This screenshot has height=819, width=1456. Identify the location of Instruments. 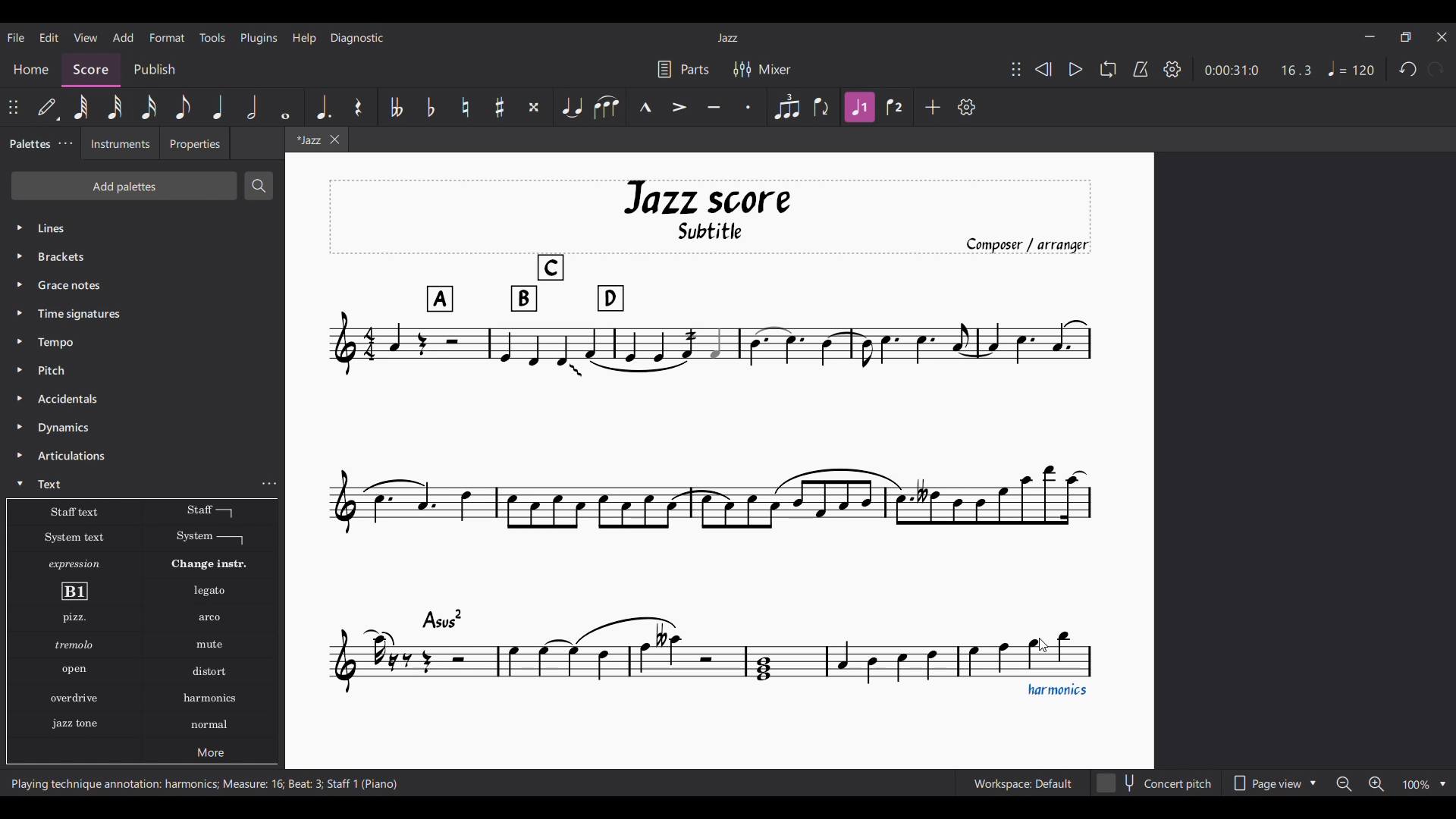
(115, 146).